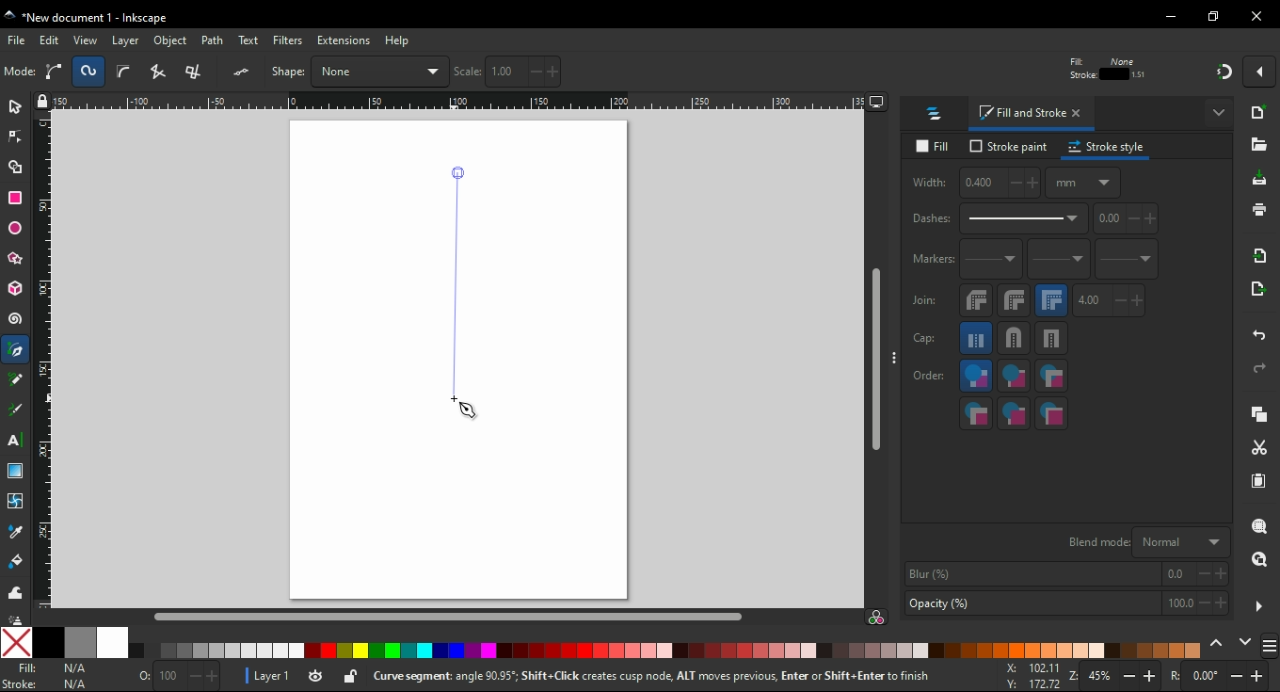 This screenshot has height=692, width=1280. What do you see at coordinates (924, 300) in the screenshot?
I see `join` at bounding box center [924, 300].